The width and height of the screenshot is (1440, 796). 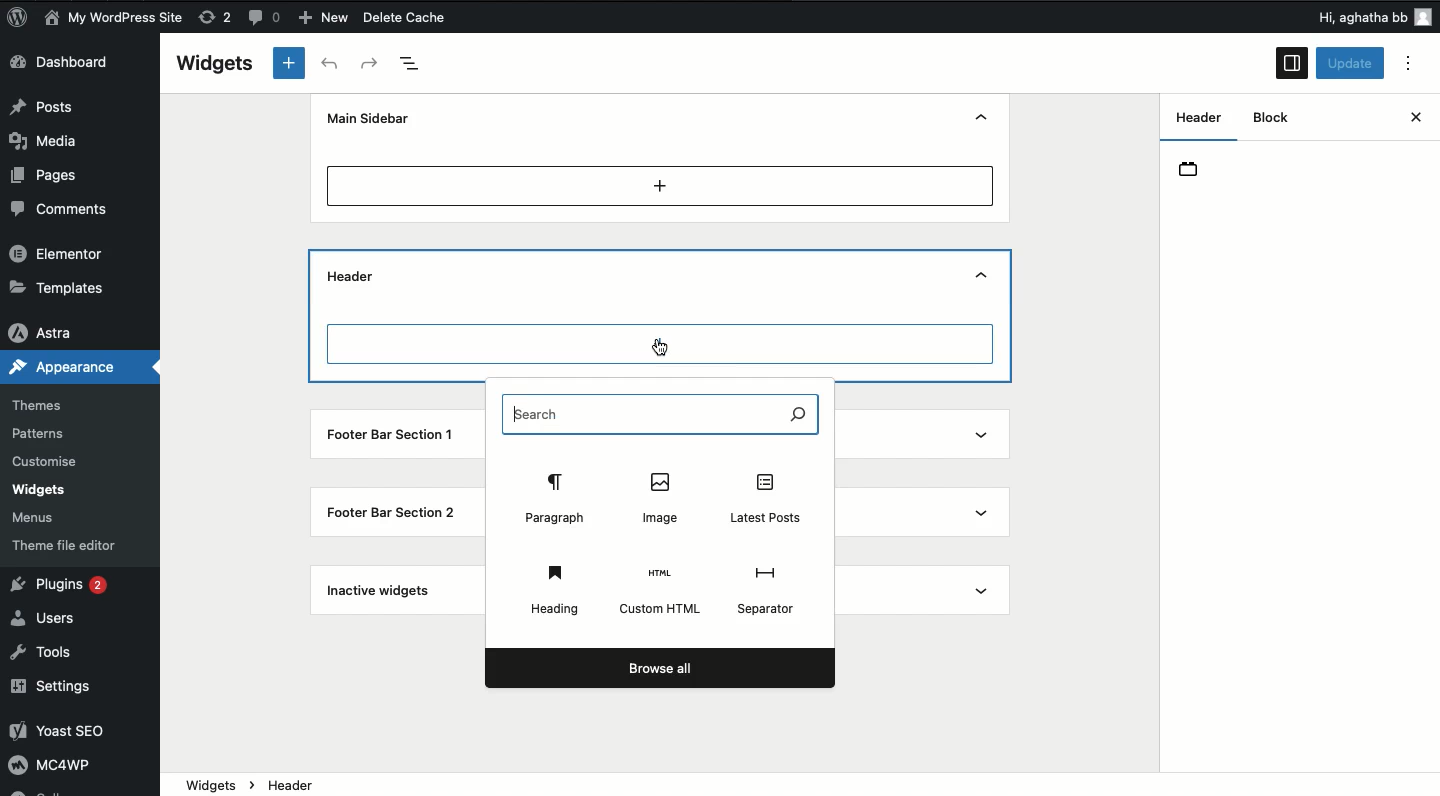 What do you see at coordinates (215, 63) in the screenshot?
I see `Widgets` at bounding box center [215, 63].